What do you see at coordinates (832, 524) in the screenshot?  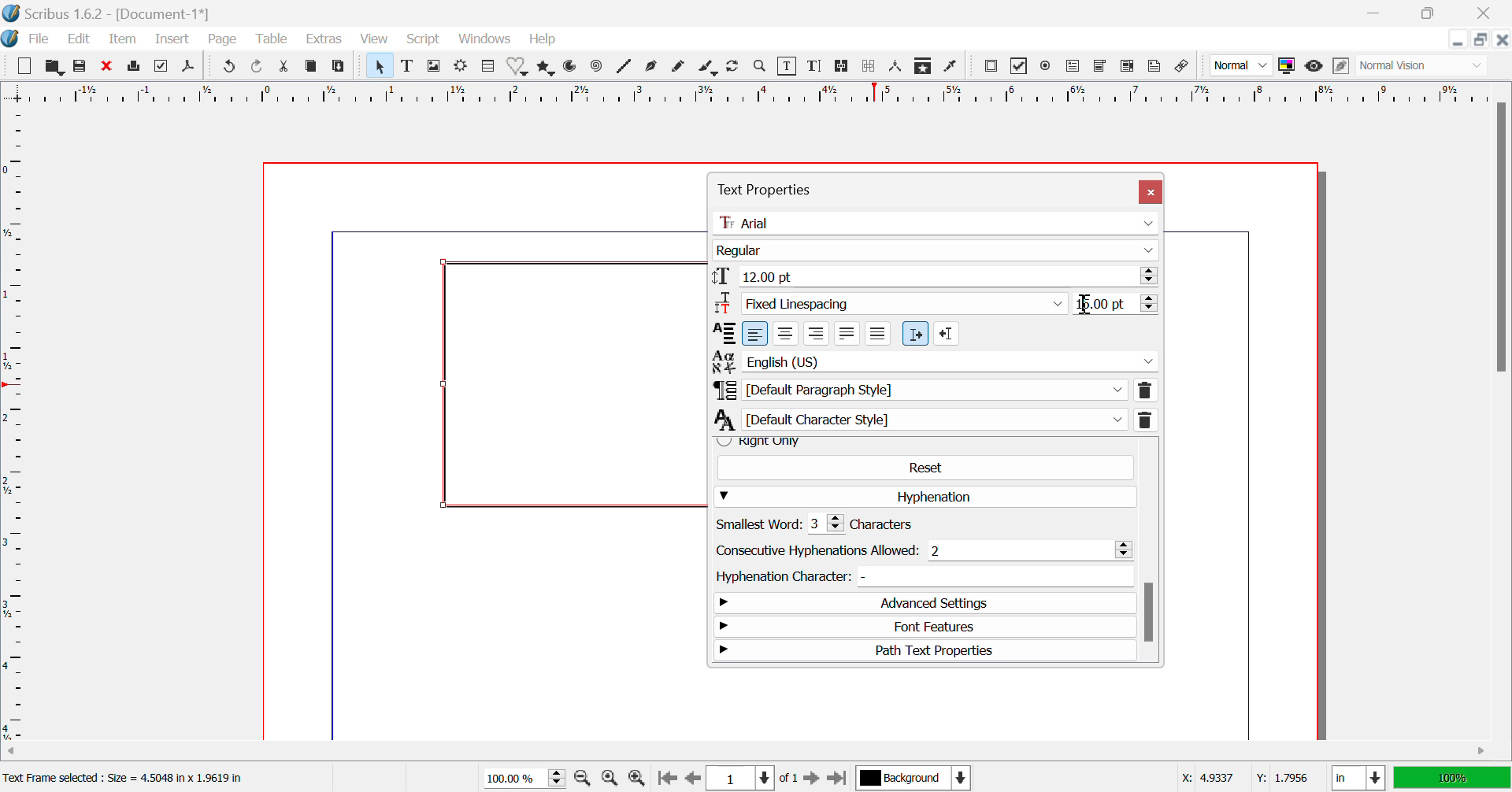 I see `Smallest word: 3 characters` at bounding box center [832, 524].